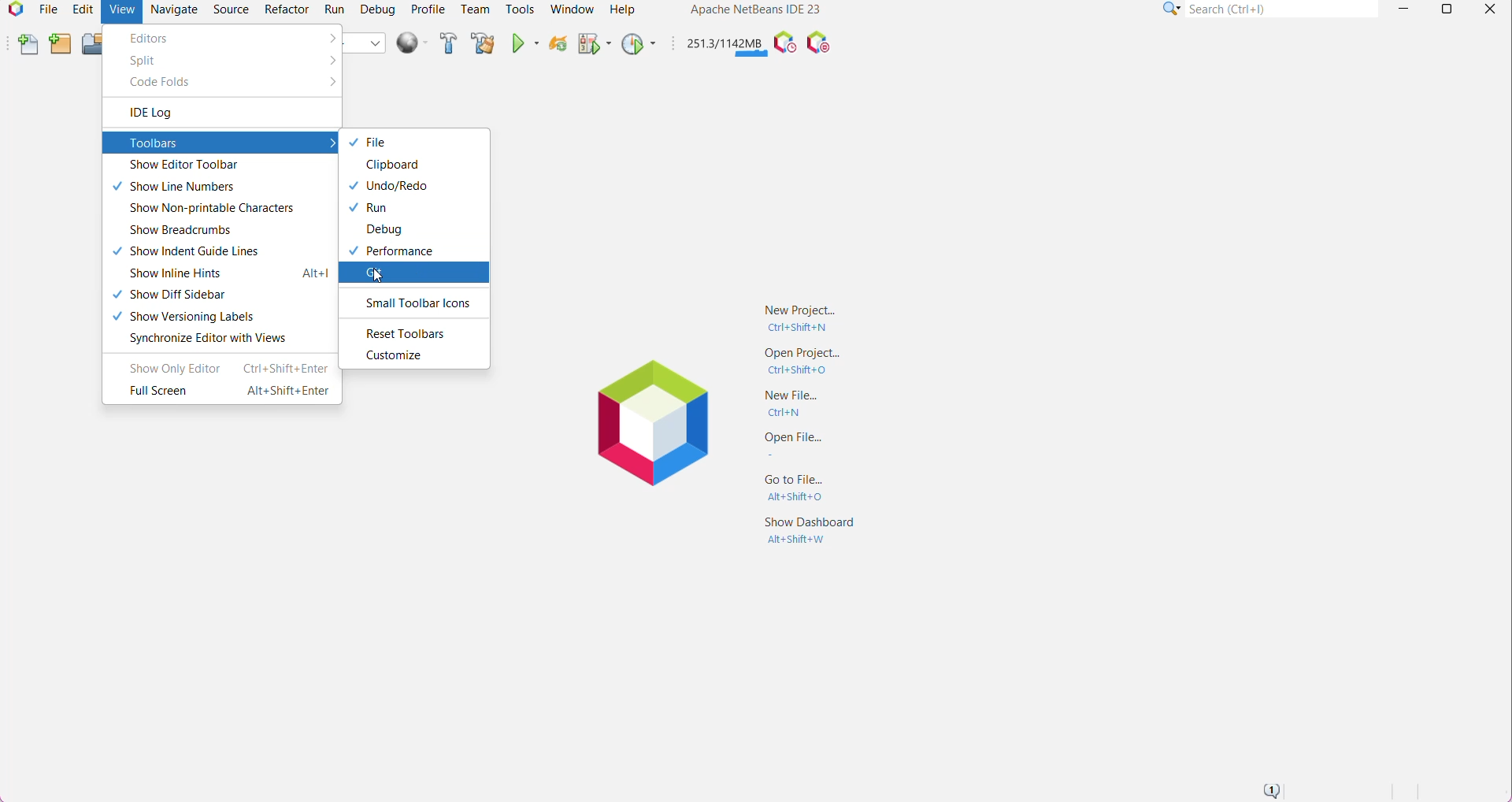 The width and height of the screenshot is (1512, 802). I want to click on Search, so click(1283, 9).